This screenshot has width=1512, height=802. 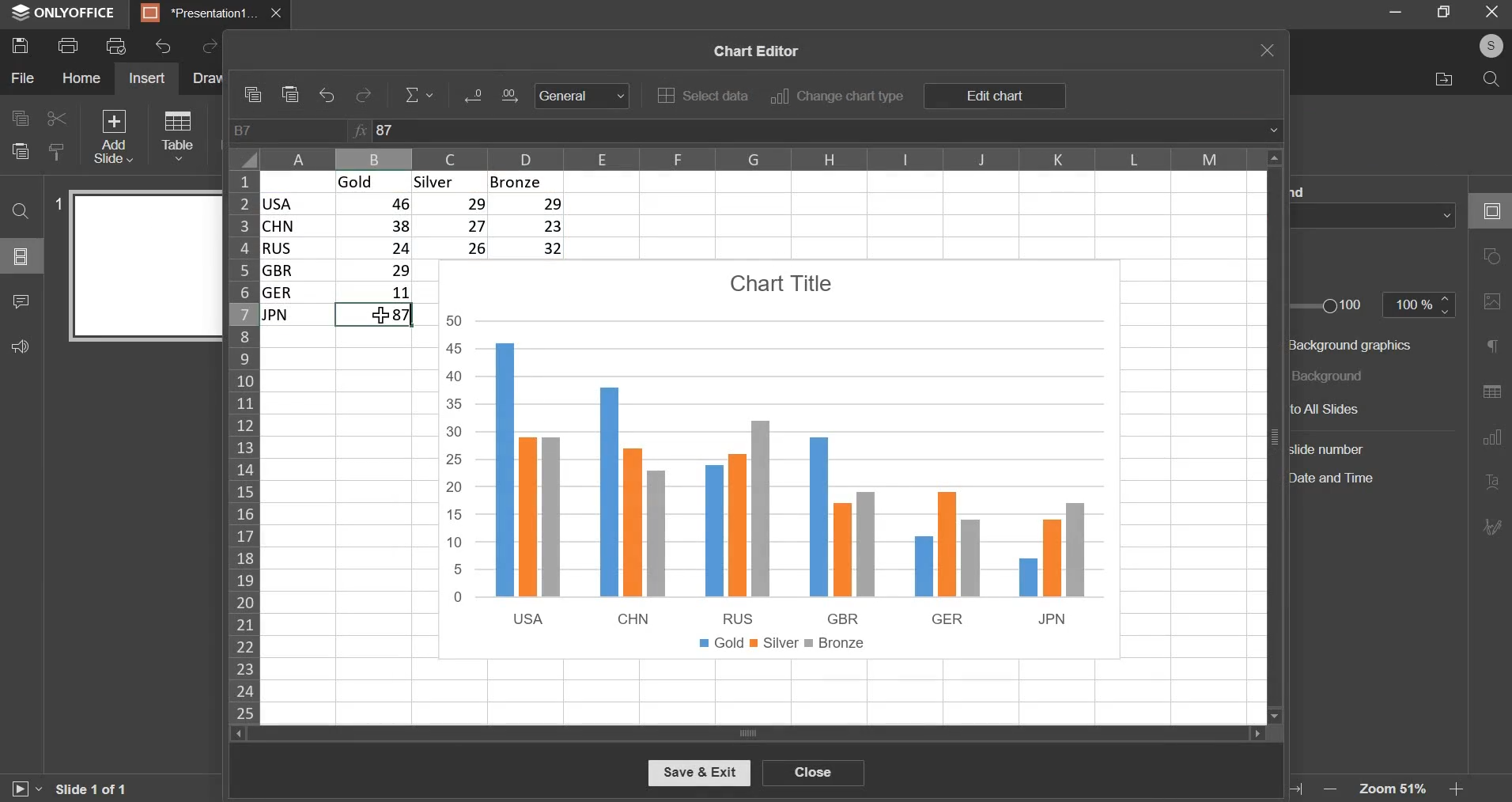 I want to click on comments, so click(x=20, y=301).